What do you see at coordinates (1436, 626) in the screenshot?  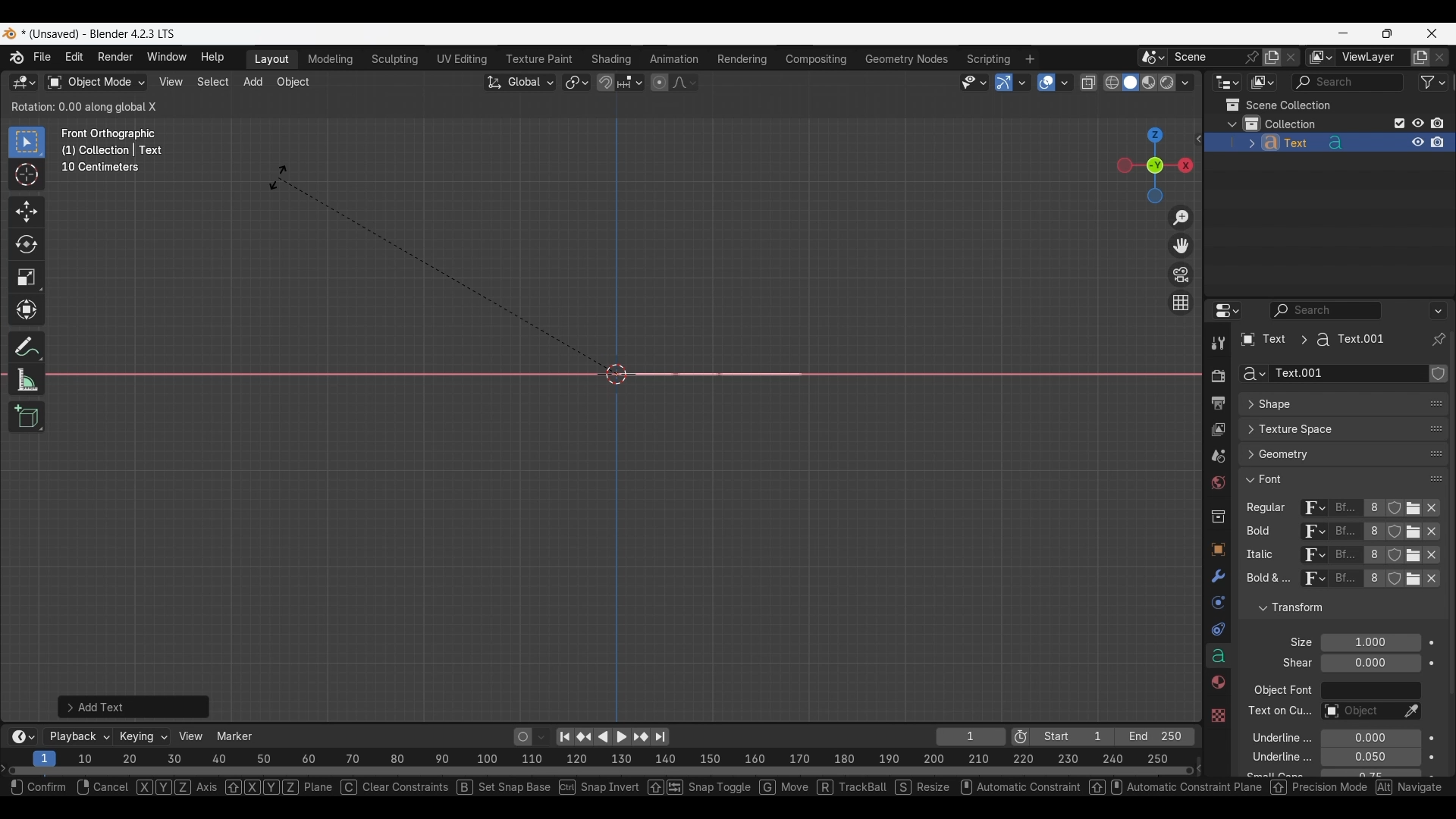 I see `Change order in the list` at bounding box center [1436, 626].